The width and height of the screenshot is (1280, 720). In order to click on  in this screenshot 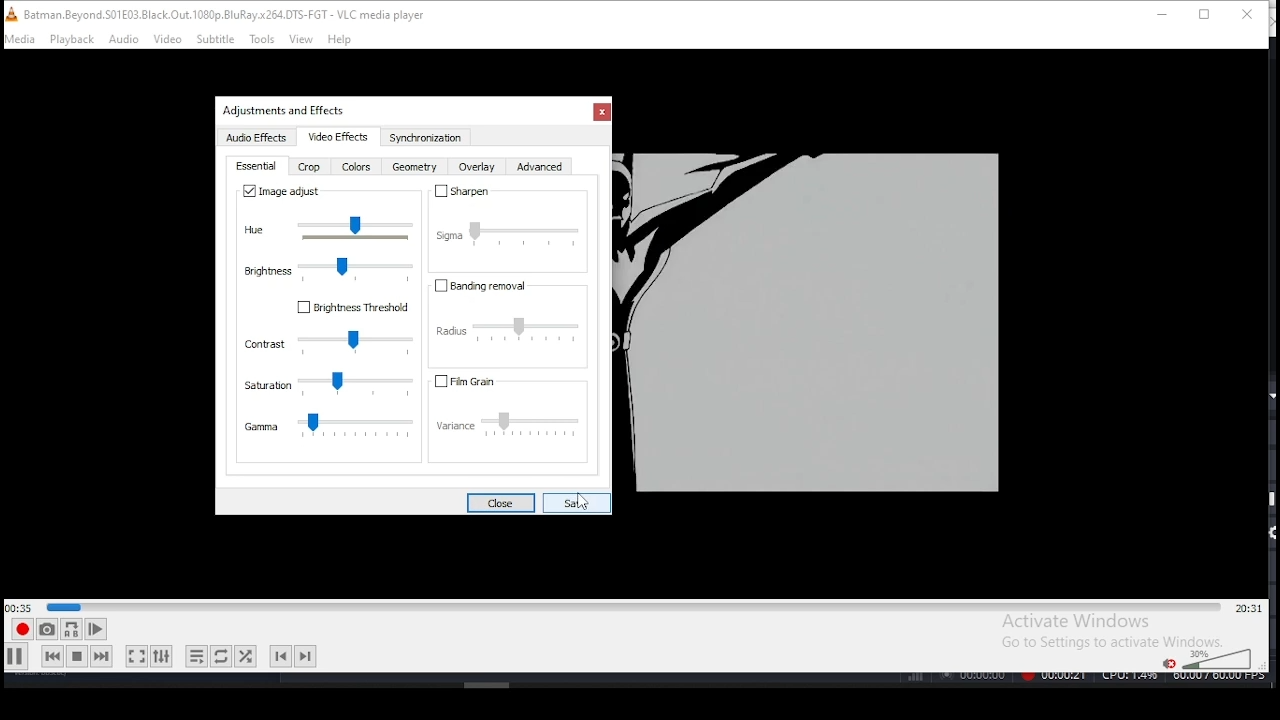, I will do `click(288, 109)`.